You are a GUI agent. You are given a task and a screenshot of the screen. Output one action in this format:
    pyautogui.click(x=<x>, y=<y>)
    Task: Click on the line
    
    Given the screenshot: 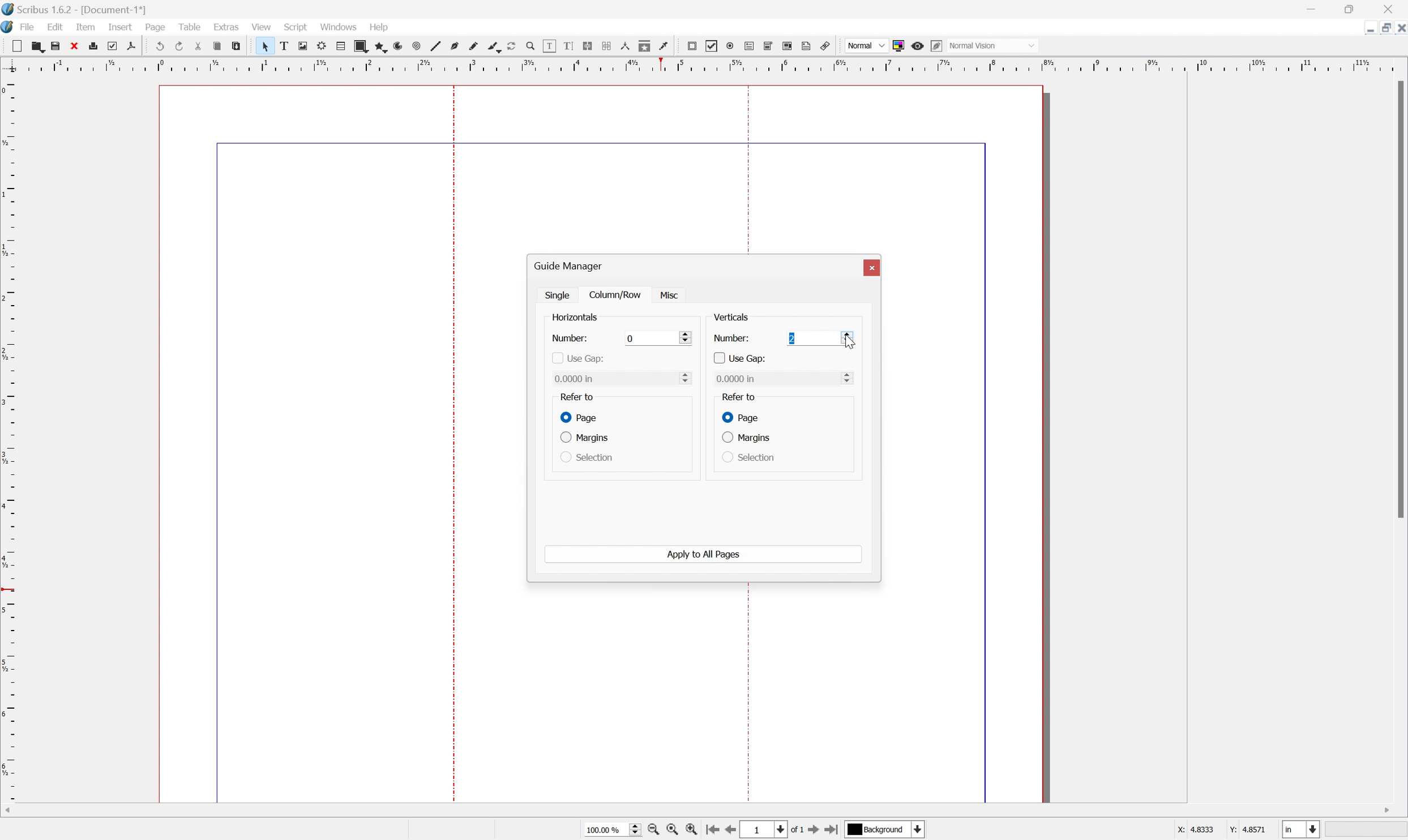 What is the action you would take?
    pyautogui.click(x=436, y=46)
    